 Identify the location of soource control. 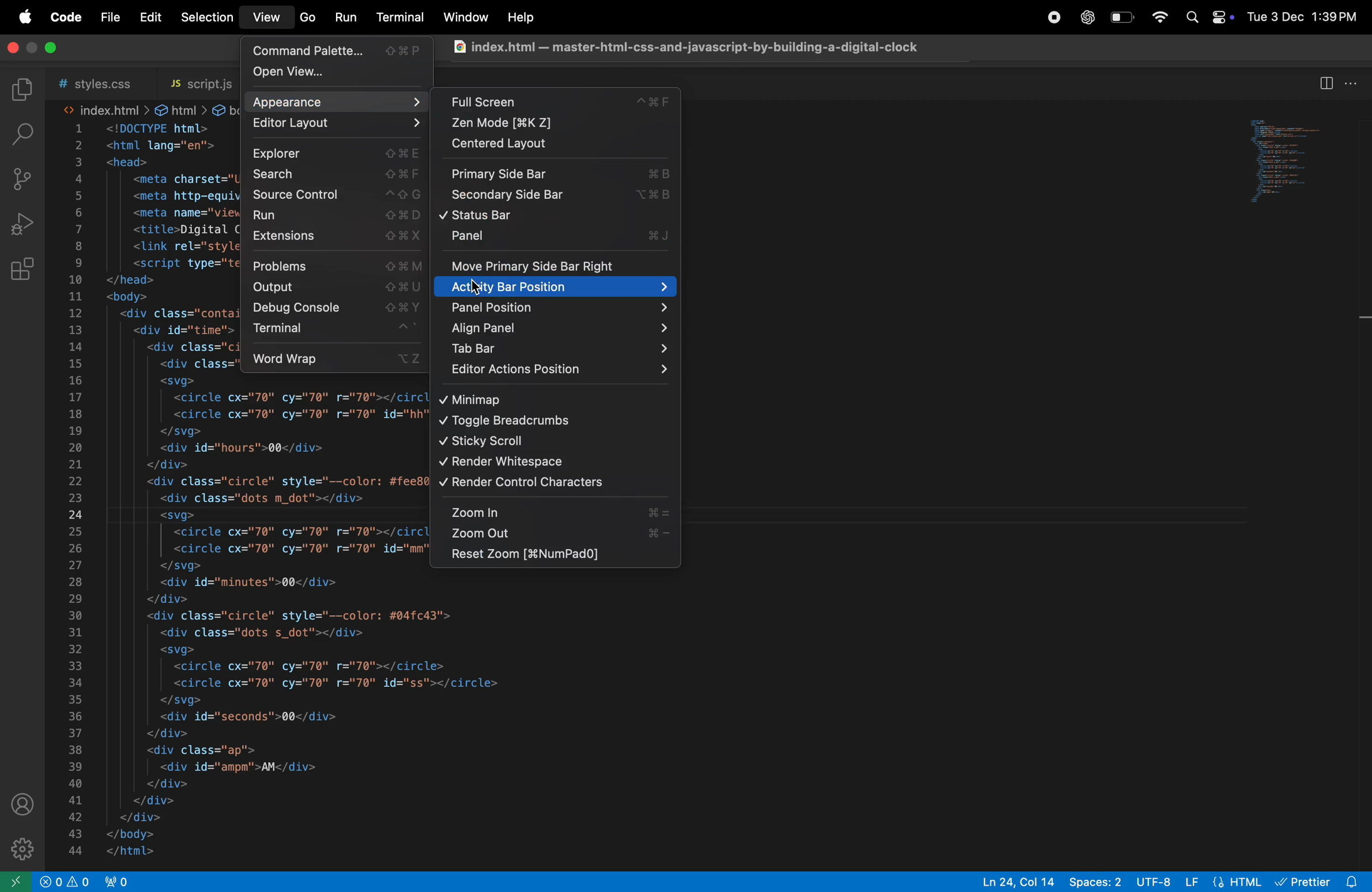
(22, 180).